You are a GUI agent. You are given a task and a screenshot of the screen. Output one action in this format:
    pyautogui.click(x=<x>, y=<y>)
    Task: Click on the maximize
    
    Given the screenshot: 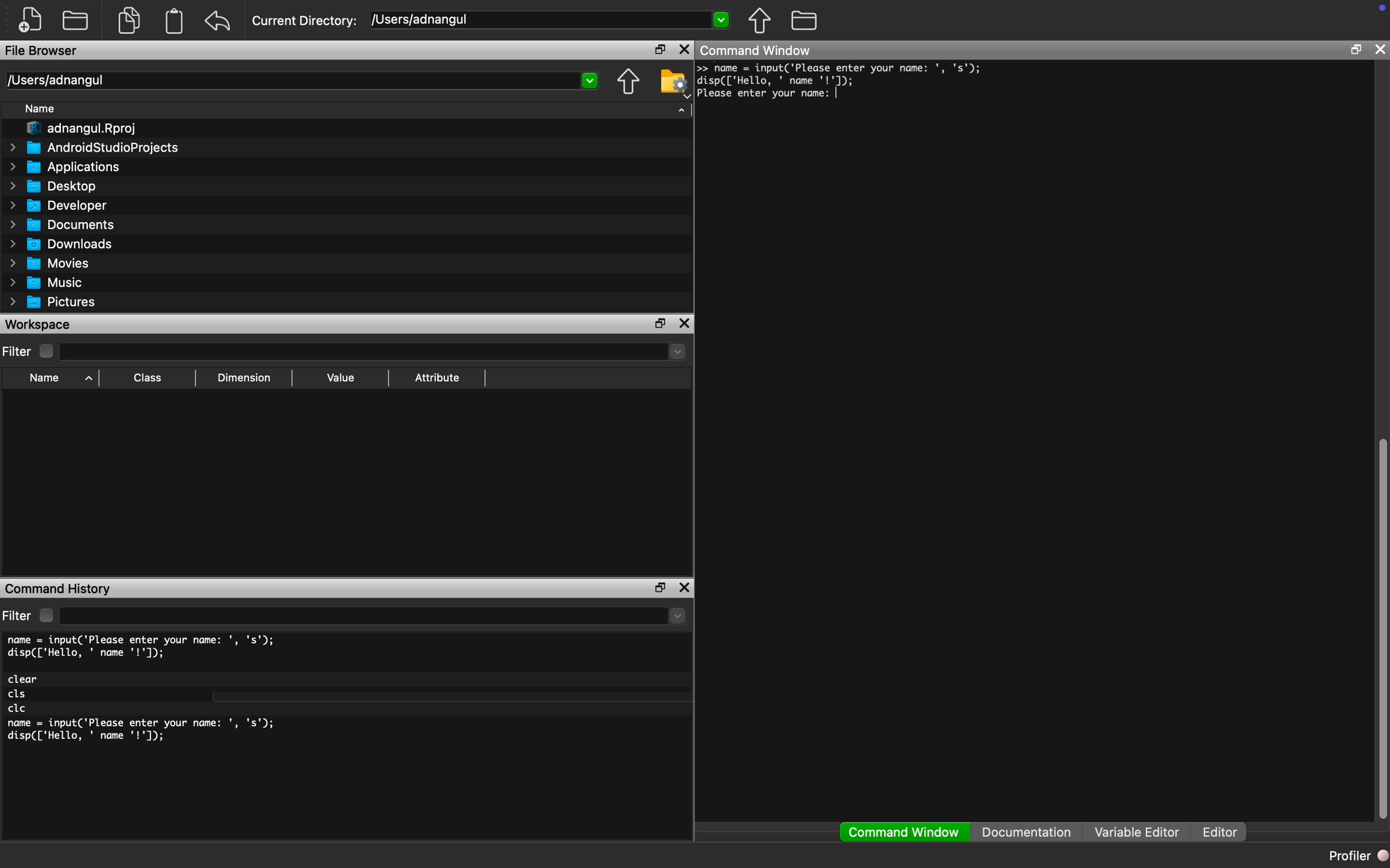 What is the action you would take?
    pyautogui.click(x=658, y=588)
    